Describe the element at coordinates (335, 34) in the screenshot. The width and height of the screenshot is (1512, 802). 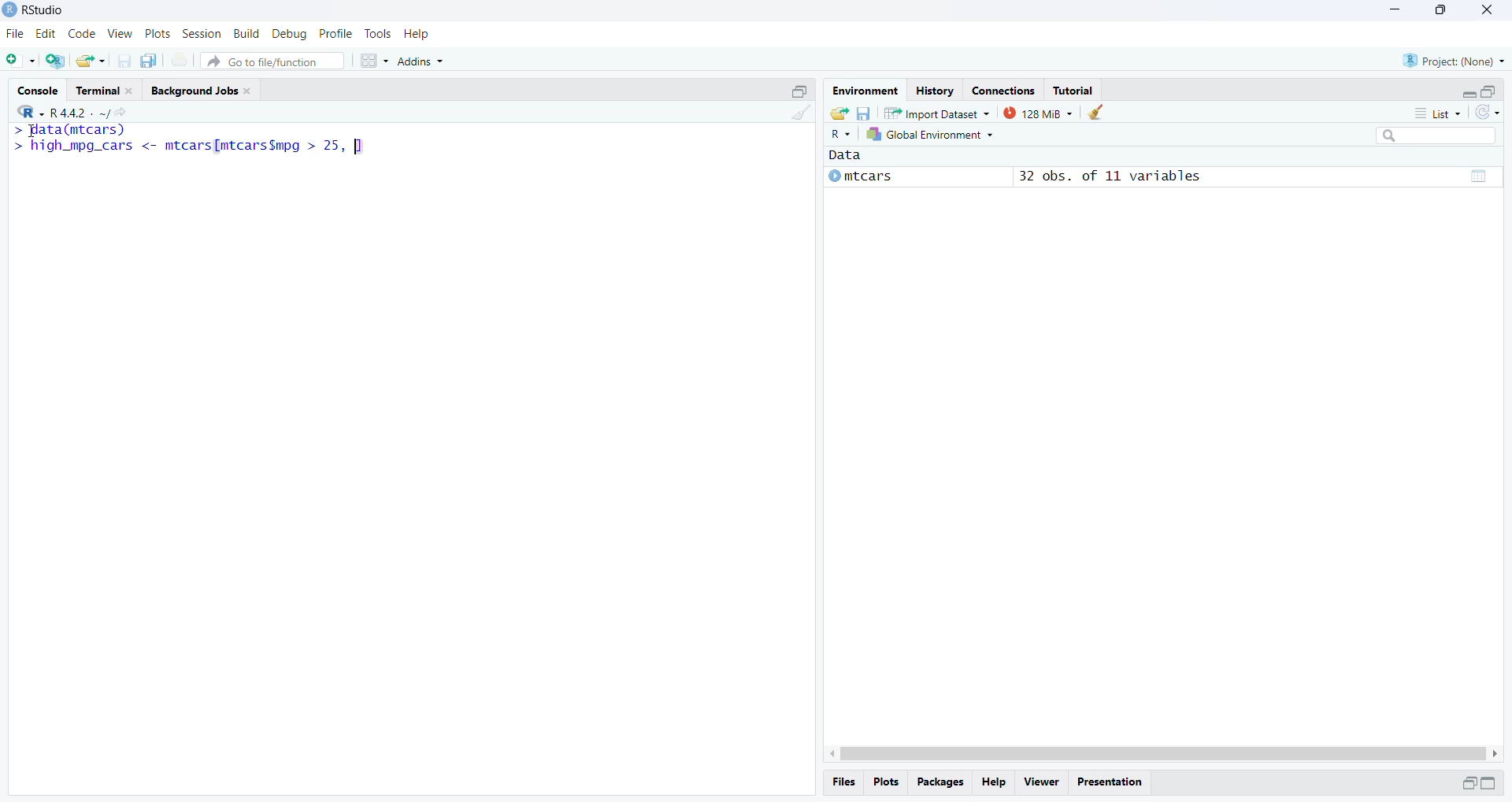
I see `Profile` at that location.